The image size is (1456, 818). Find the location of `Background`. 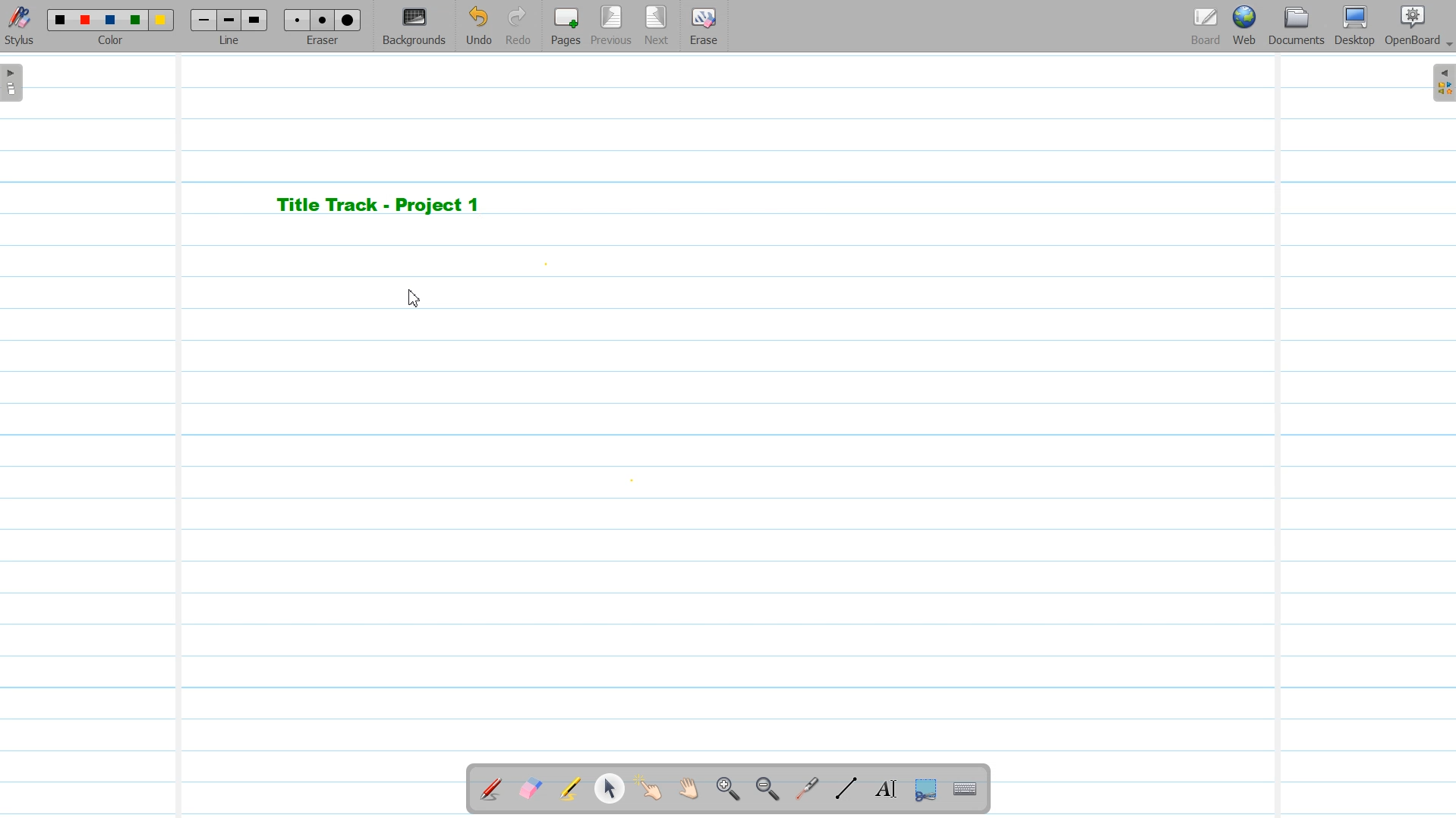

Background is located at coordinates (415, 27).